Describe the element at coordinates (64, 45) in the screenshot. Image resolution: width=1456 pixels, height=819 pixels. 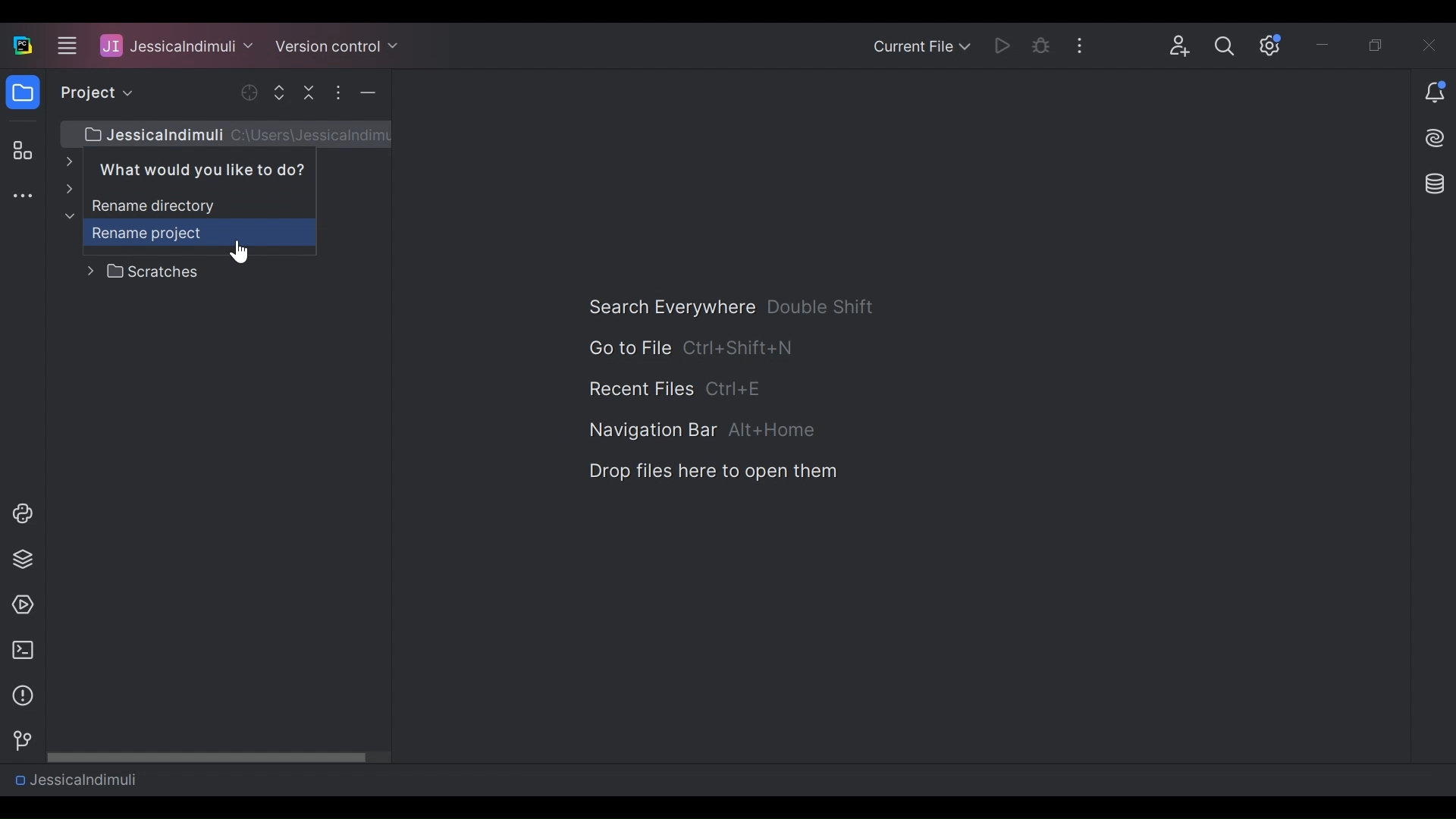
I see `Main  menu` at that location.